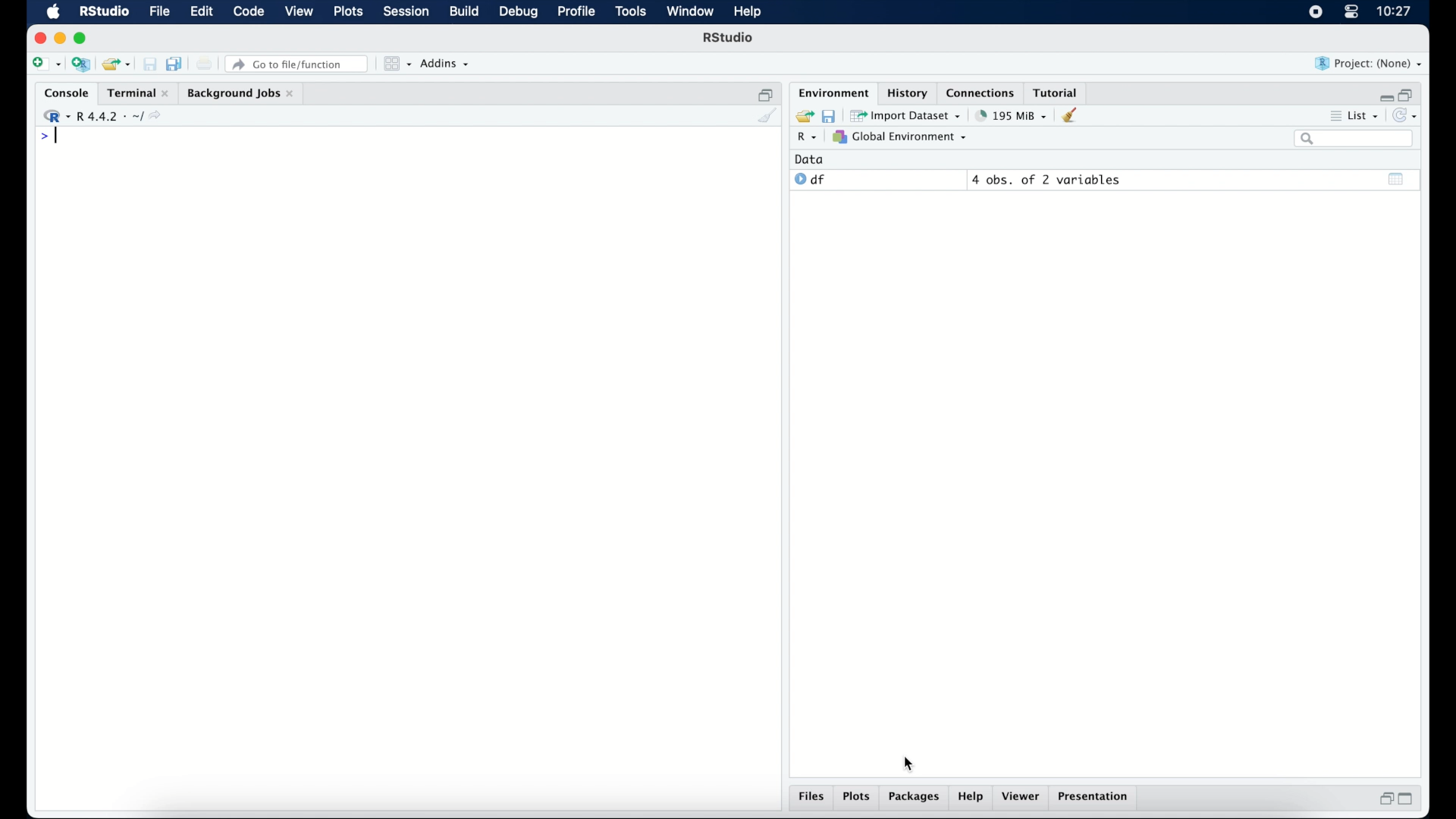  What do you see at coordinates (1010, 115) in the screenshot?
I see `195 MB` at bounding box center [1010, 115].